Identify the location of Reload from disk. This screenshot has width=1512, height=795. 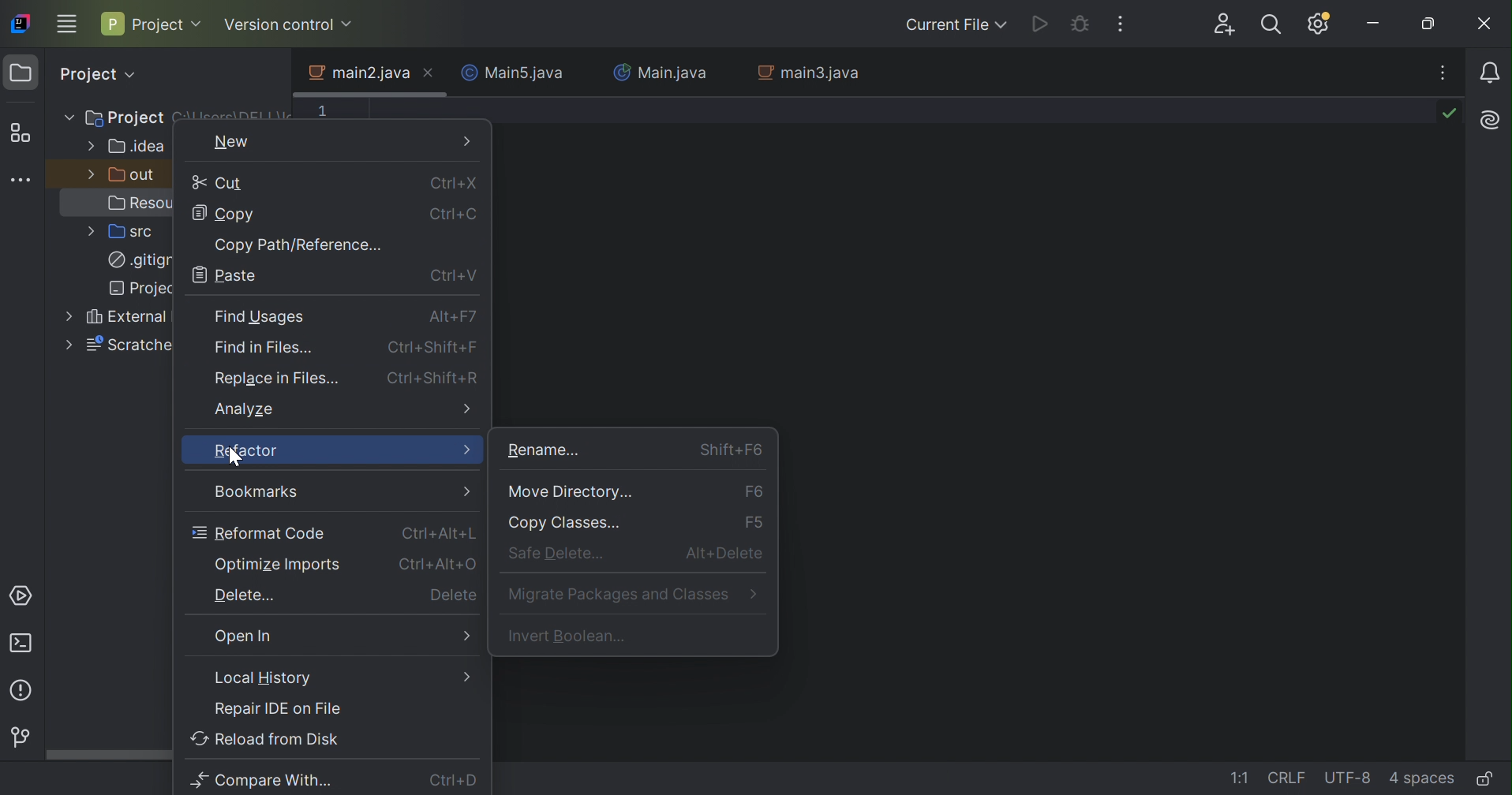
(268, 738).